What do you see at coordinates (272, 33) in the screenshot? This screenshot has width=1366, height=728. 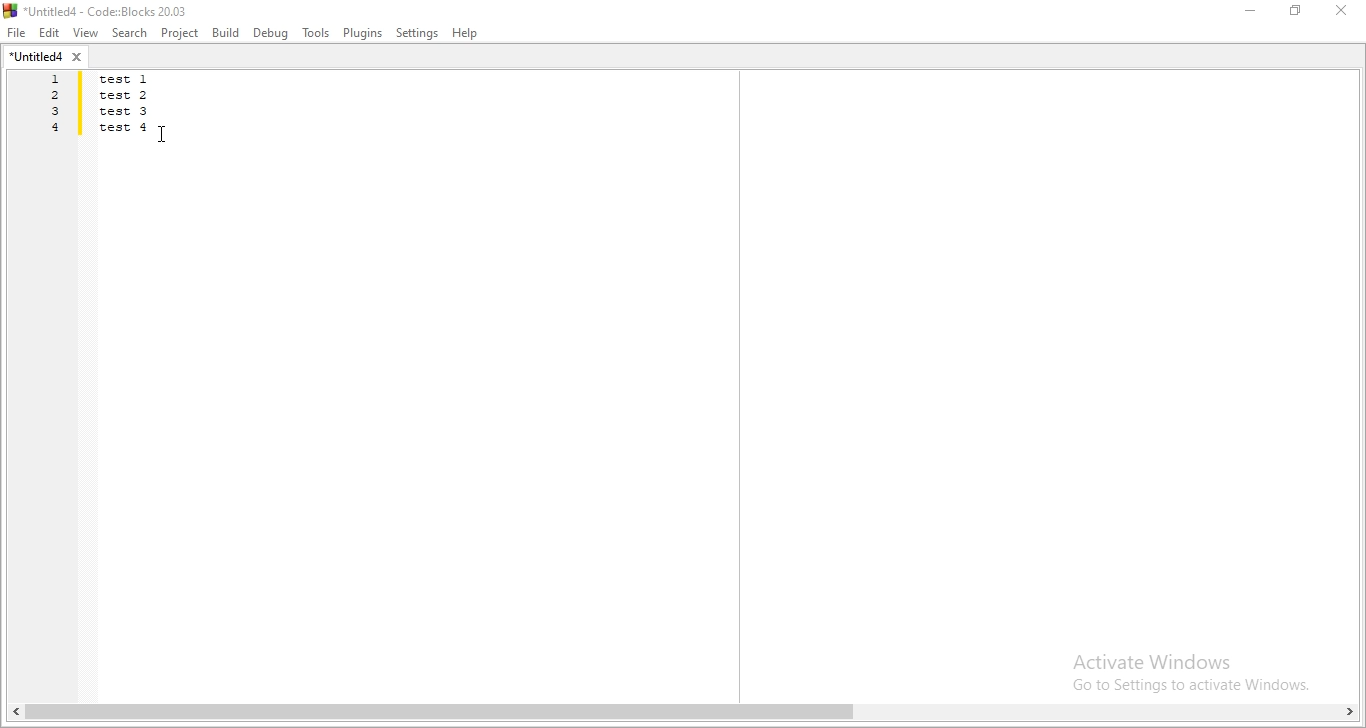 I see `Debug ` at bounding box center [272, 33].